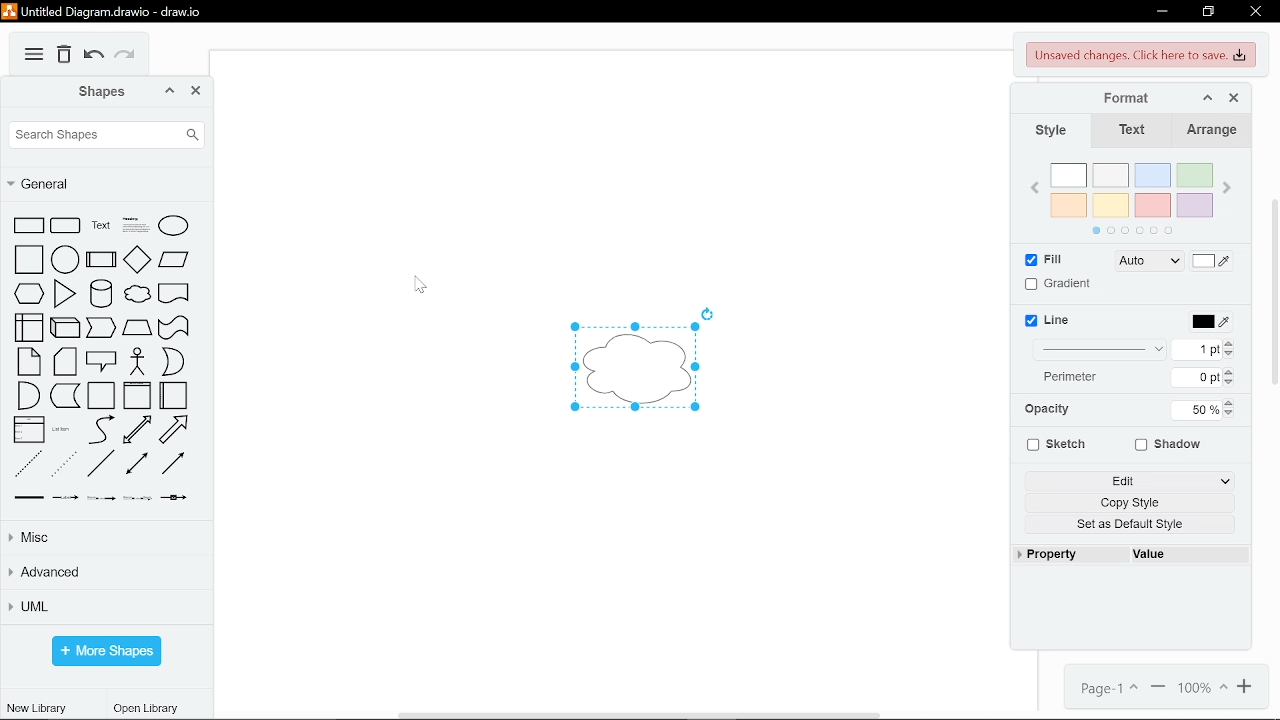 This screenshot has width=1280, height=720. What do you see at coordinates (1159, 688) in the screenshot?
I see `zoom out` at bounding box center [1159, 688].